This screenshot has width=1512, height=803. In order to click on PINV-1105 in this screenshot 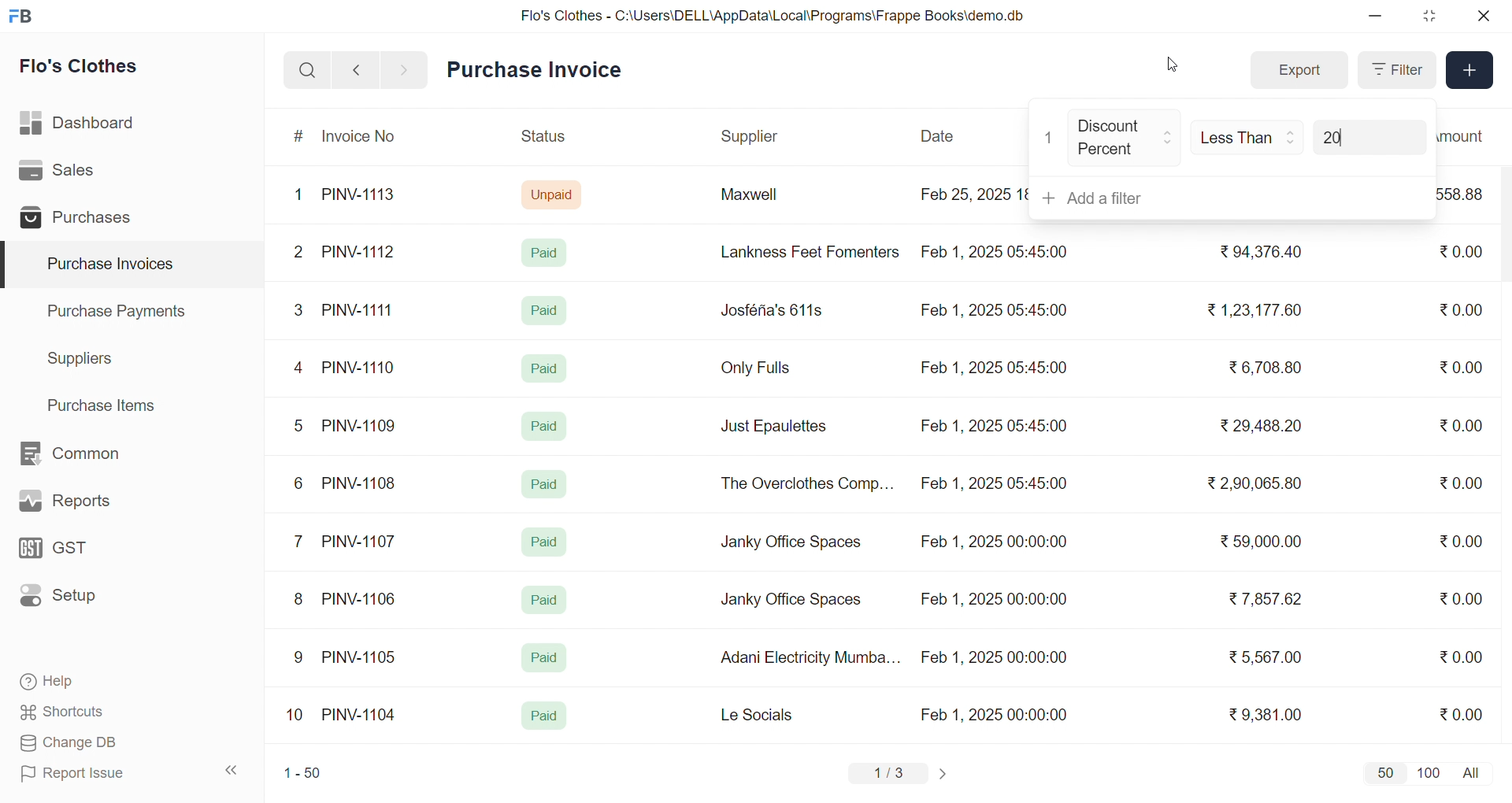, I will do `click(362, 657)`.